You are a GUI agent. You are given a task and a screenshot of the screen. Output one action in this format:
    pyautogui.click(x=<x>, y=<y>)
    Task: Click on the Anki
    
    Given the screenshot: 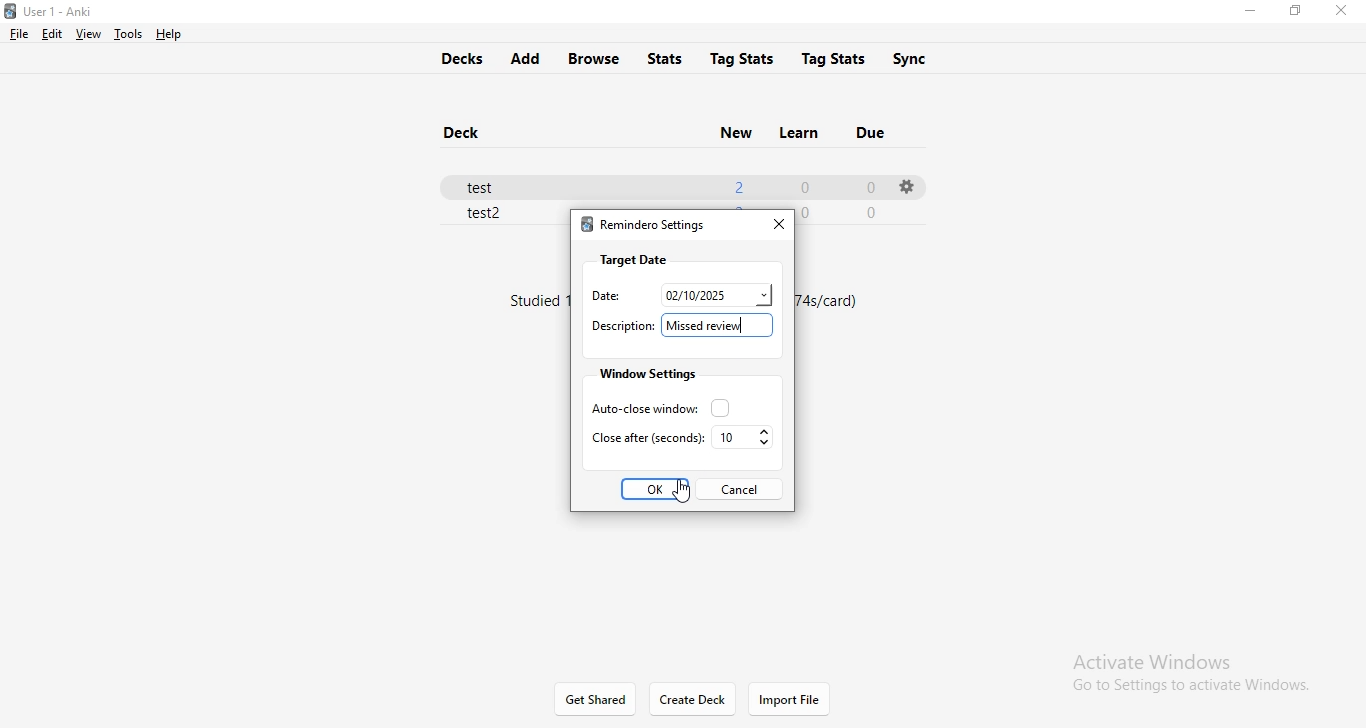 What is the action you would take?
    pyautogui.click(x=58, y=12)
    